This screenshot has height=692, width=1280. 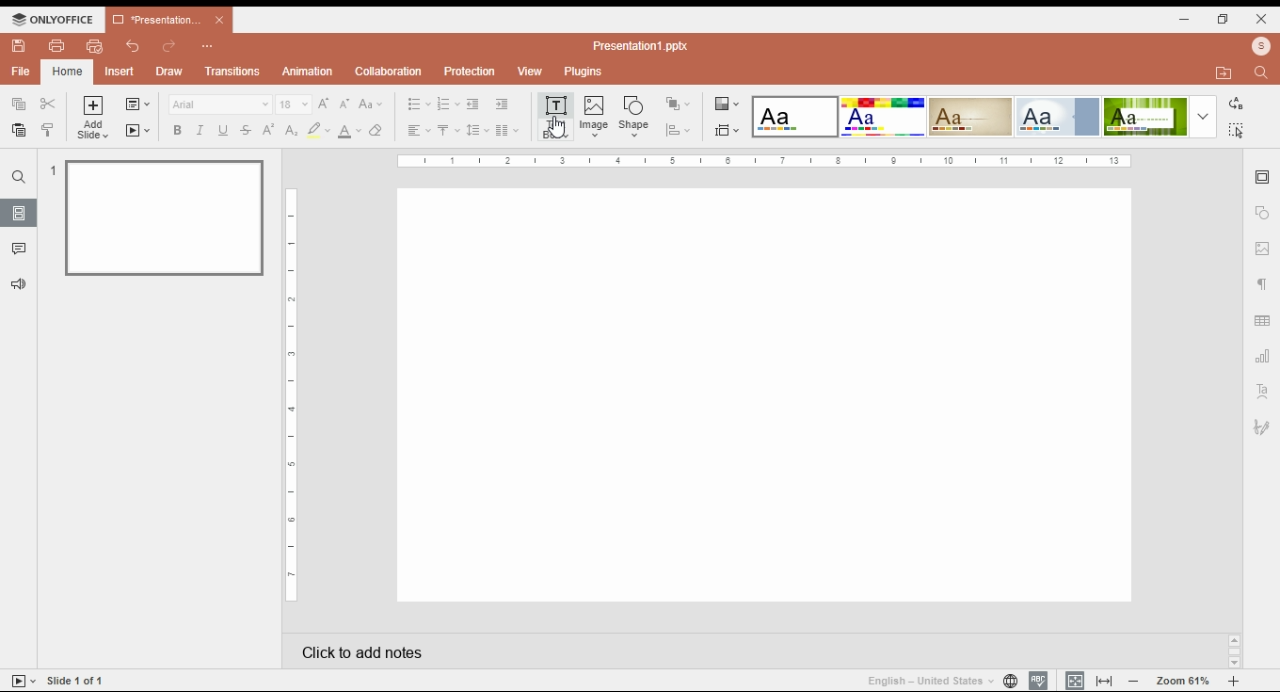 What do you see at coordinates (555, 116) in the screenshot?
I see `insert text box` at bounding box center [555, 116].